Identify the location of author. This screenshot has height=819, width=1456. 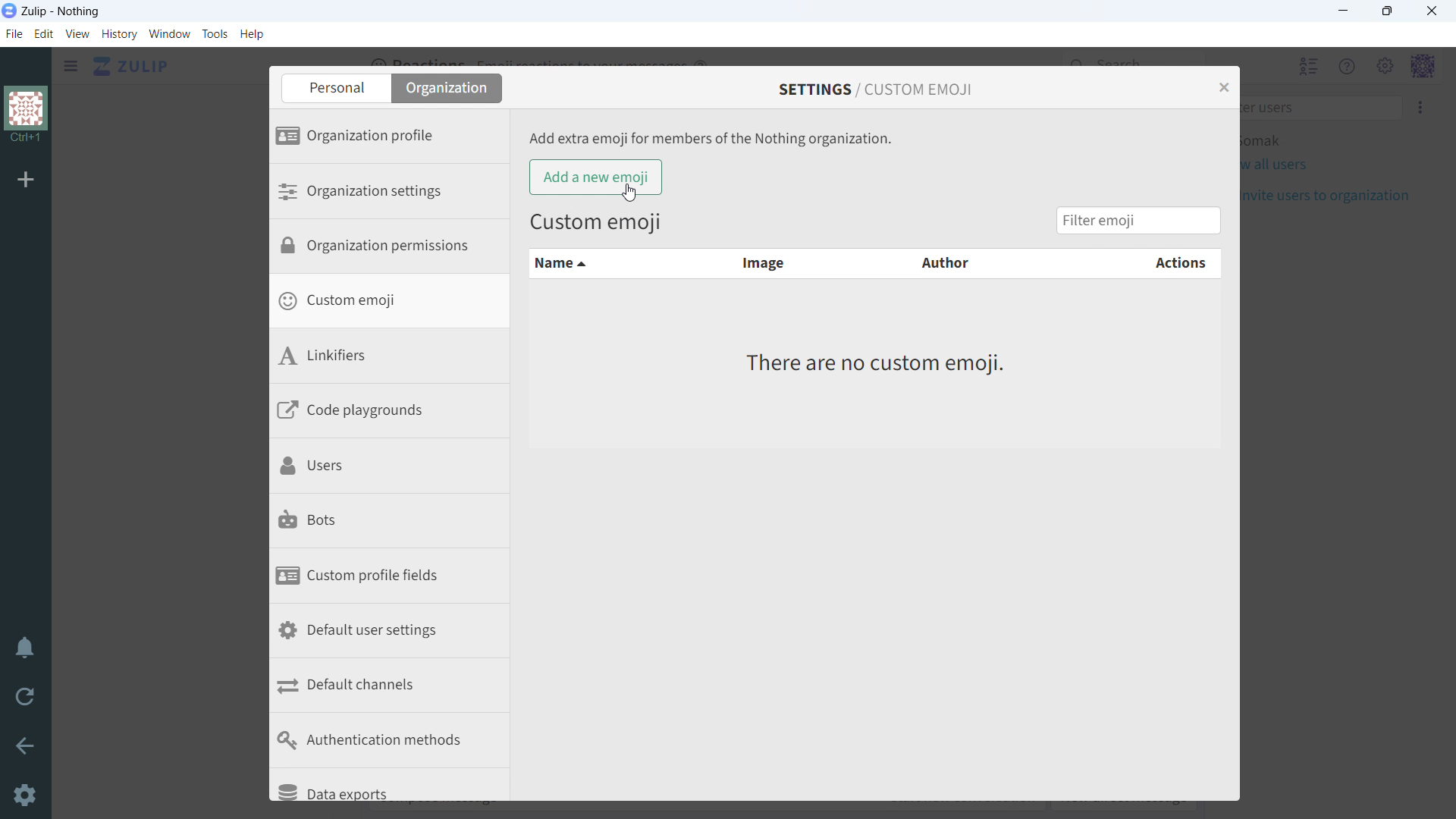
(935, 264).